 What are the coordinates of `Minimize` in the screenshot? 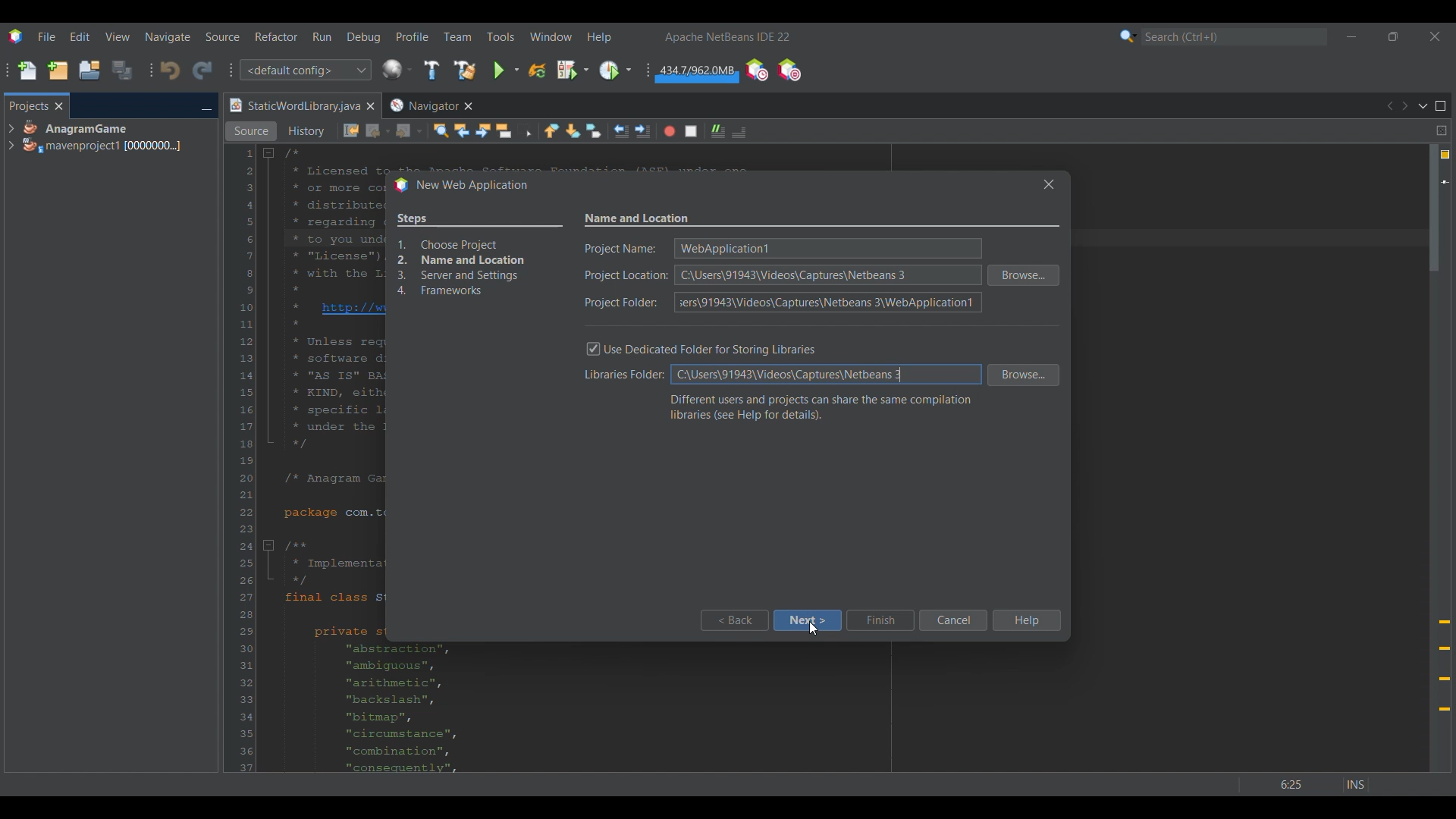 It's located at (1351, 36).